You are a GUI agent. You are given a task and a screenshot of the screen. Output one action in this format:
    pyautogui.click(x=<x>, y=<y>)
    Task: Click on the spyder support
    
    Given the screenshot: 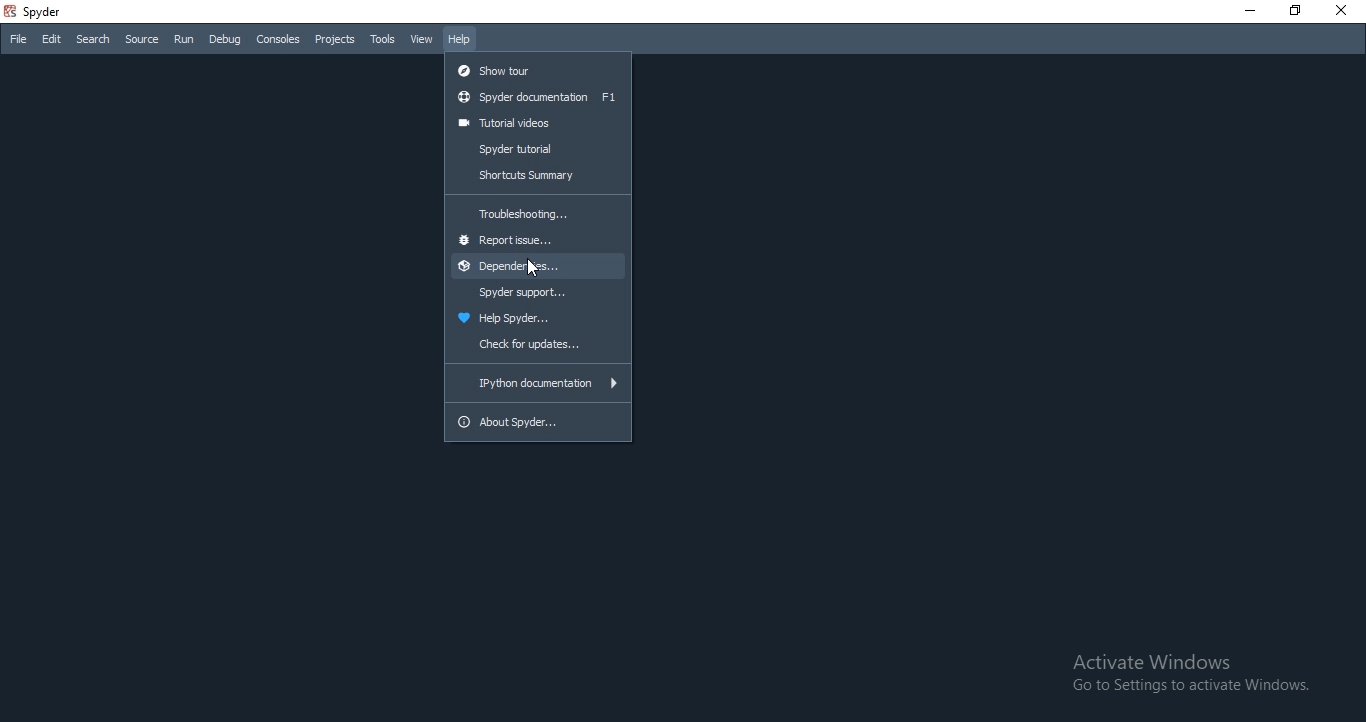 What is the action you would take?
    pyautogui.click(x=538, y=291)
    